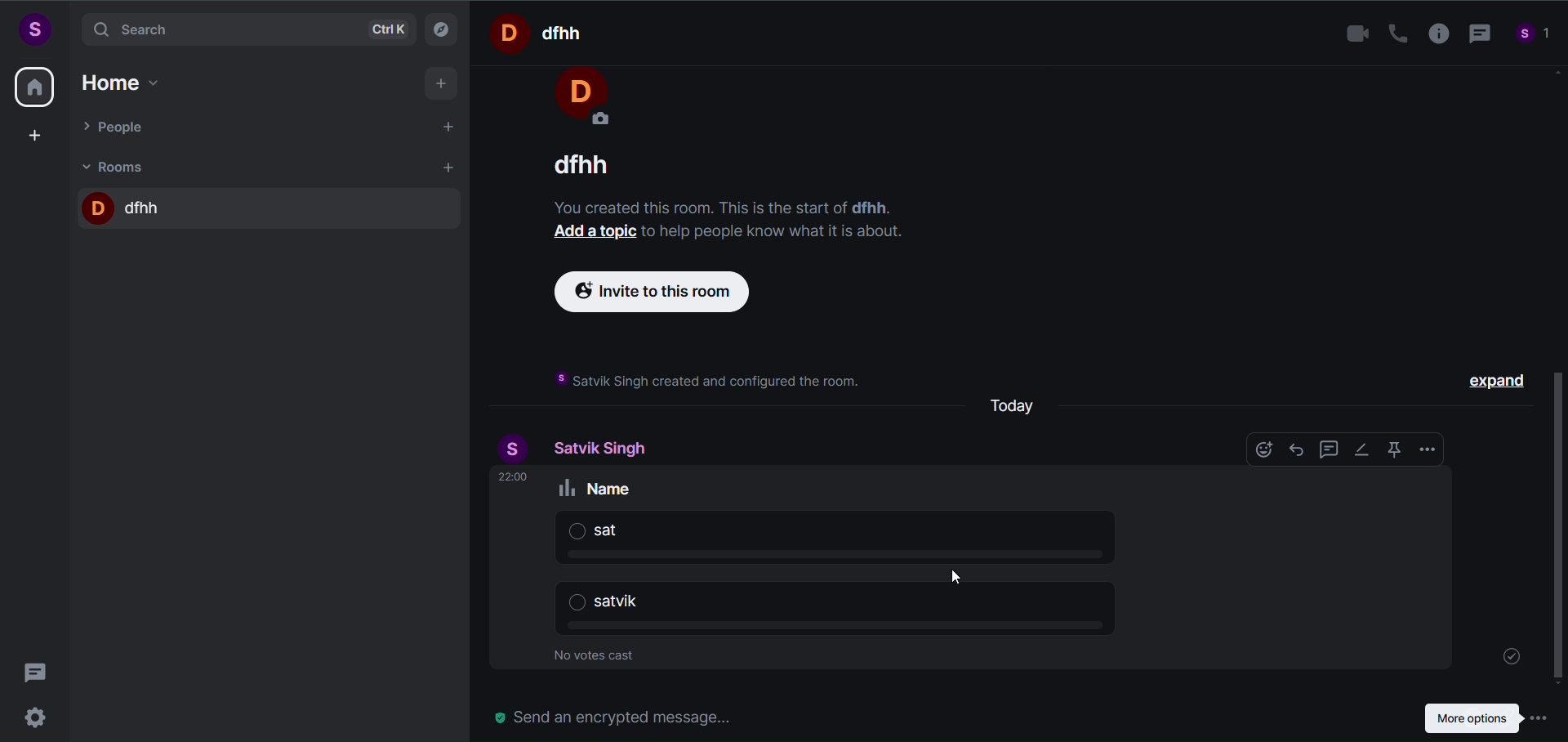 The width and height of the screenshot is (1568, 742). I want to click on Add a topic, so click(578, 230).